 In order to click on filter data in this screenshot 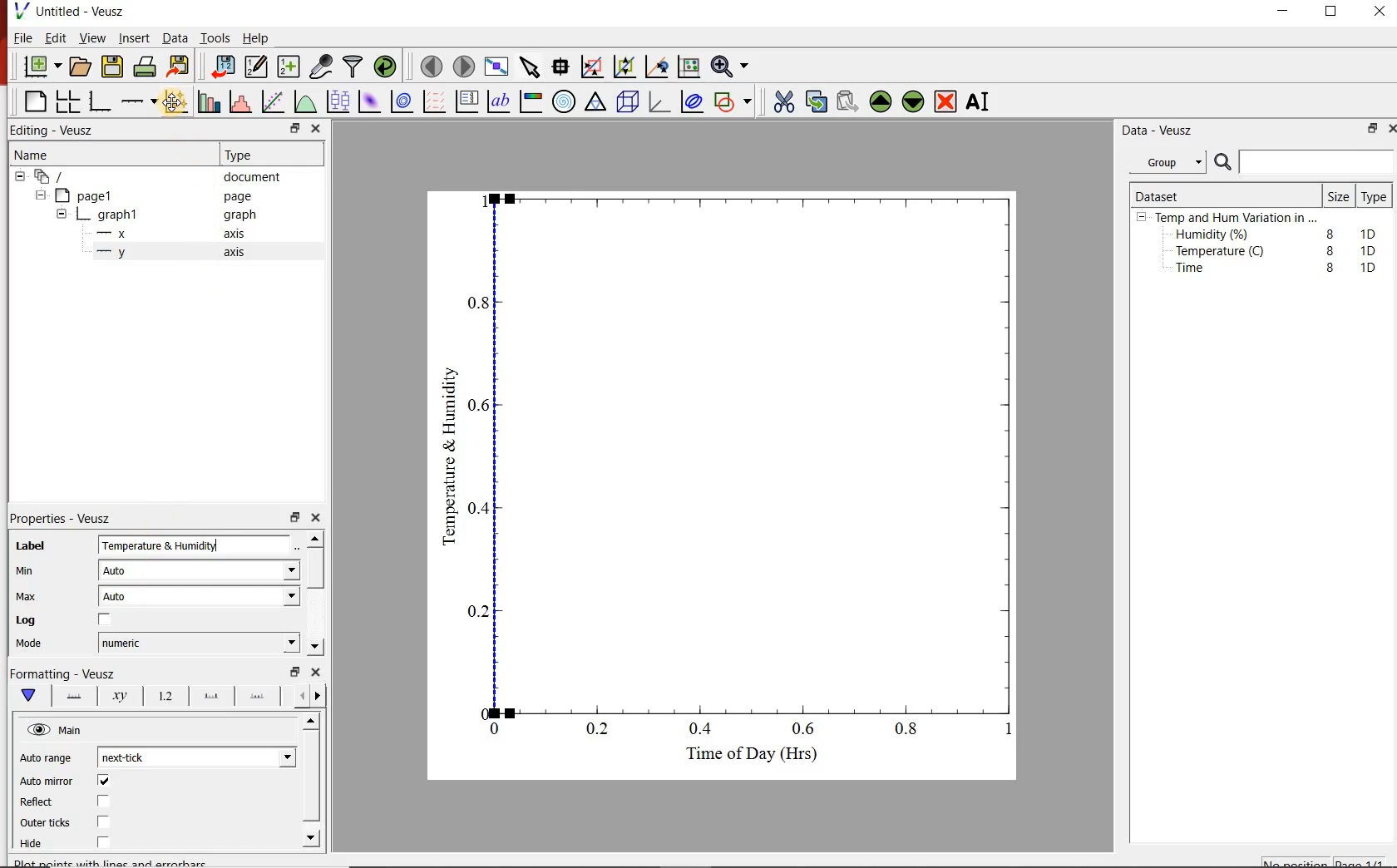, I will do `click(353, 67)`.